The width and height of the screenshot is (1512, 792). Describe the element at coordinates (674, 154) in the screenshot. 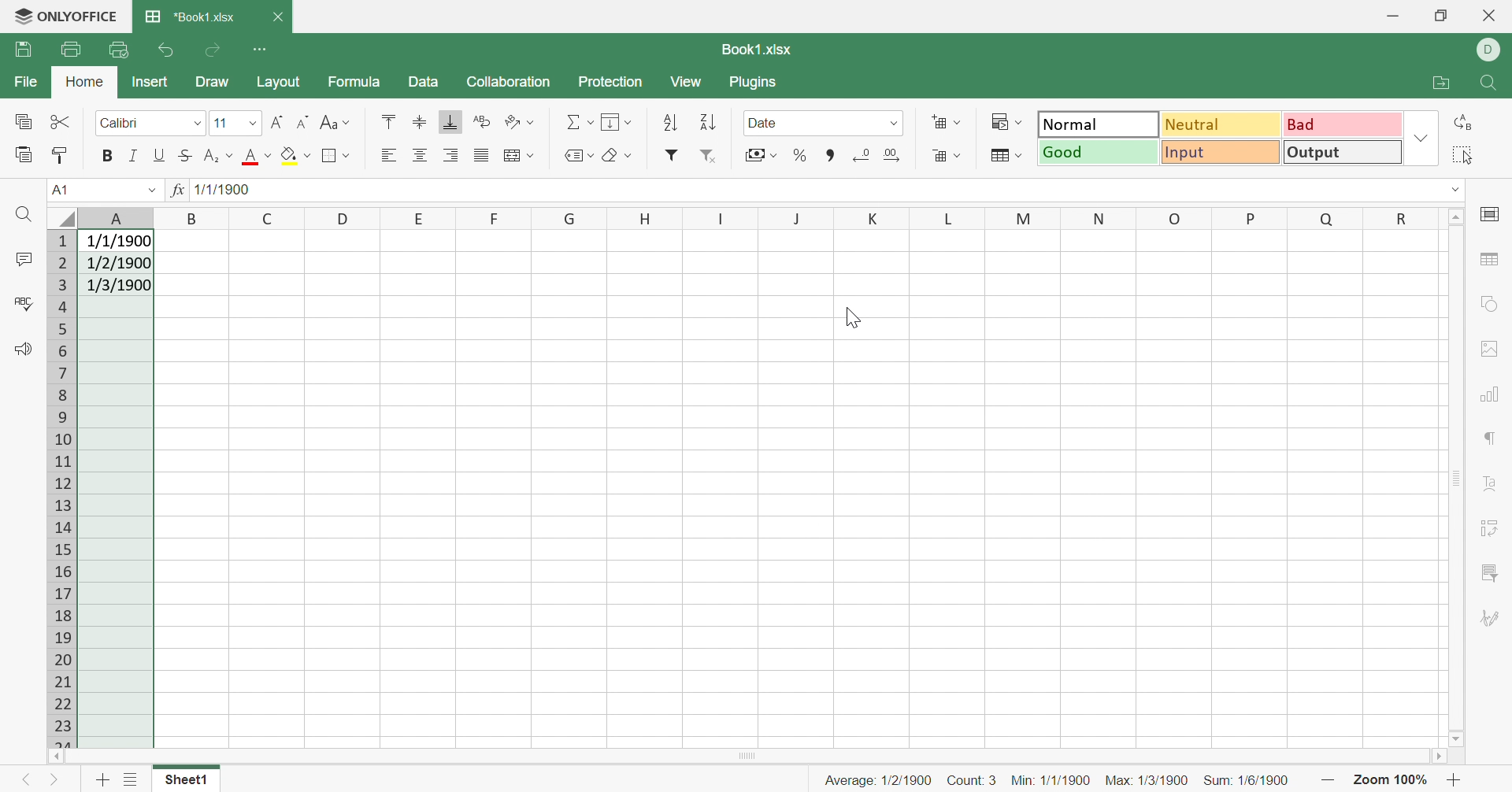

I see `Filter` at that location.